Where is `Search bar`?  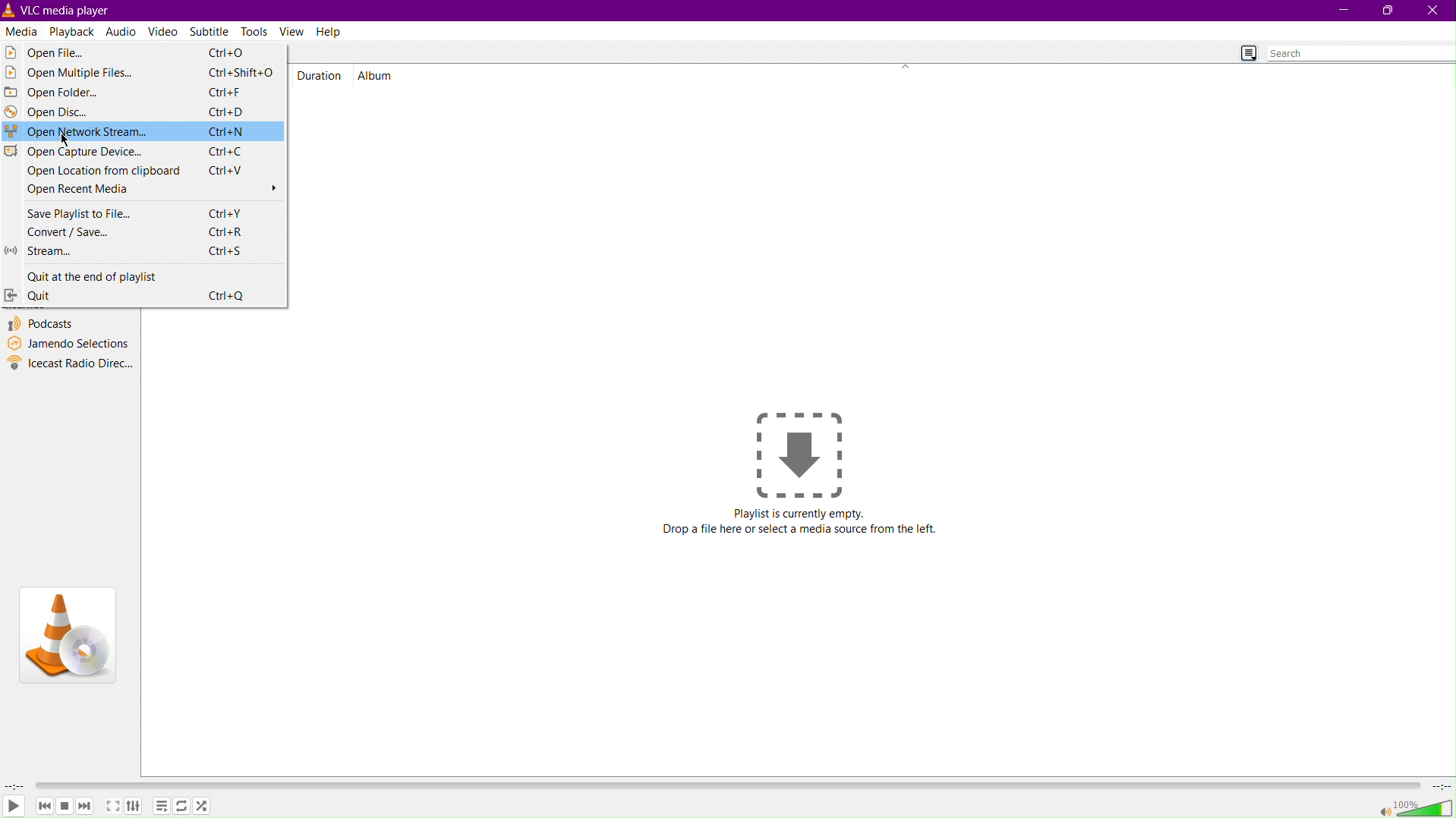
Search bar is located at coordinates (1360, 55).